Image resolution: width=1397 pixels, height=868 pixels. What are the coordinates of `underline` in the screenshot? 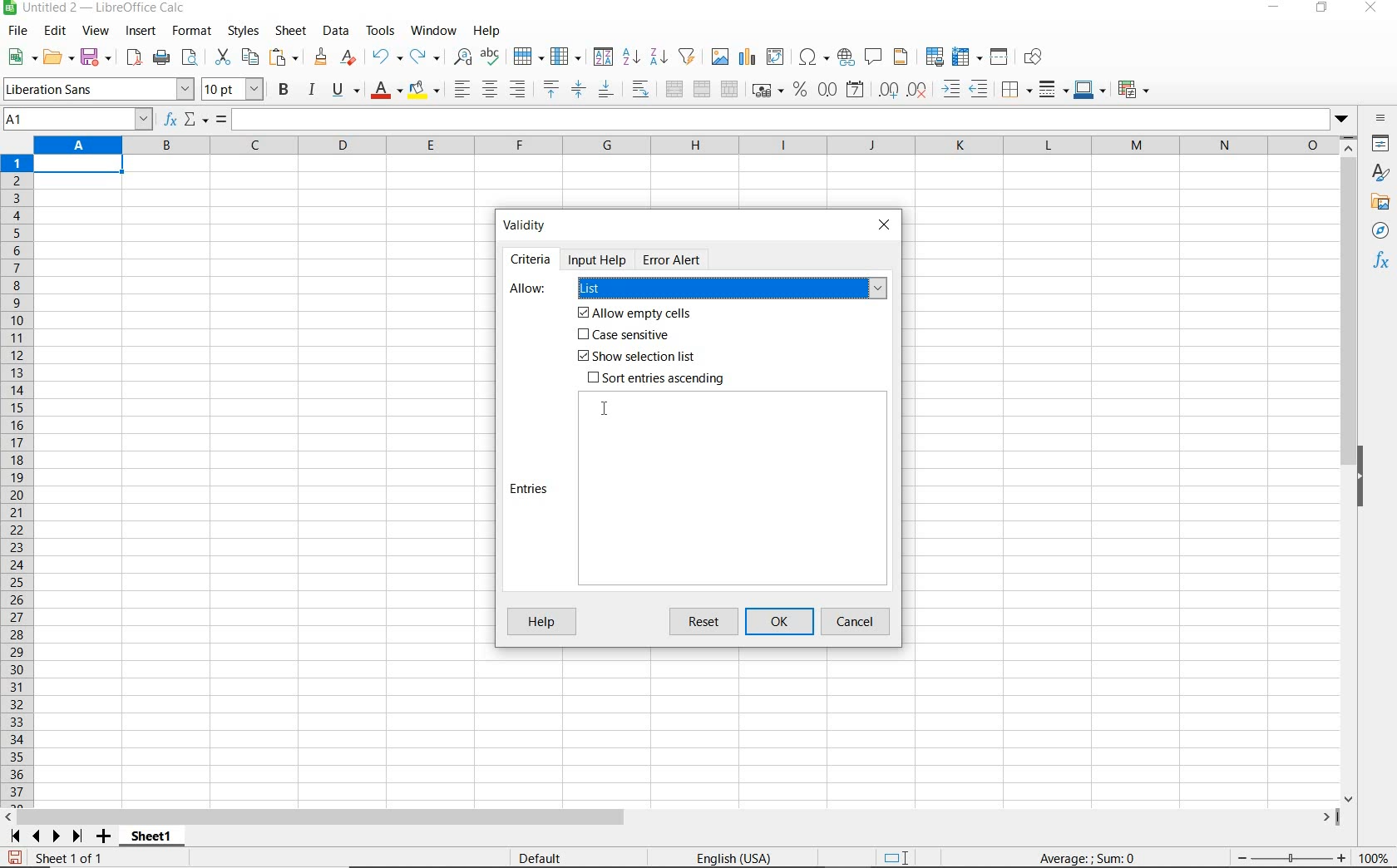 It's located at (346, 91).